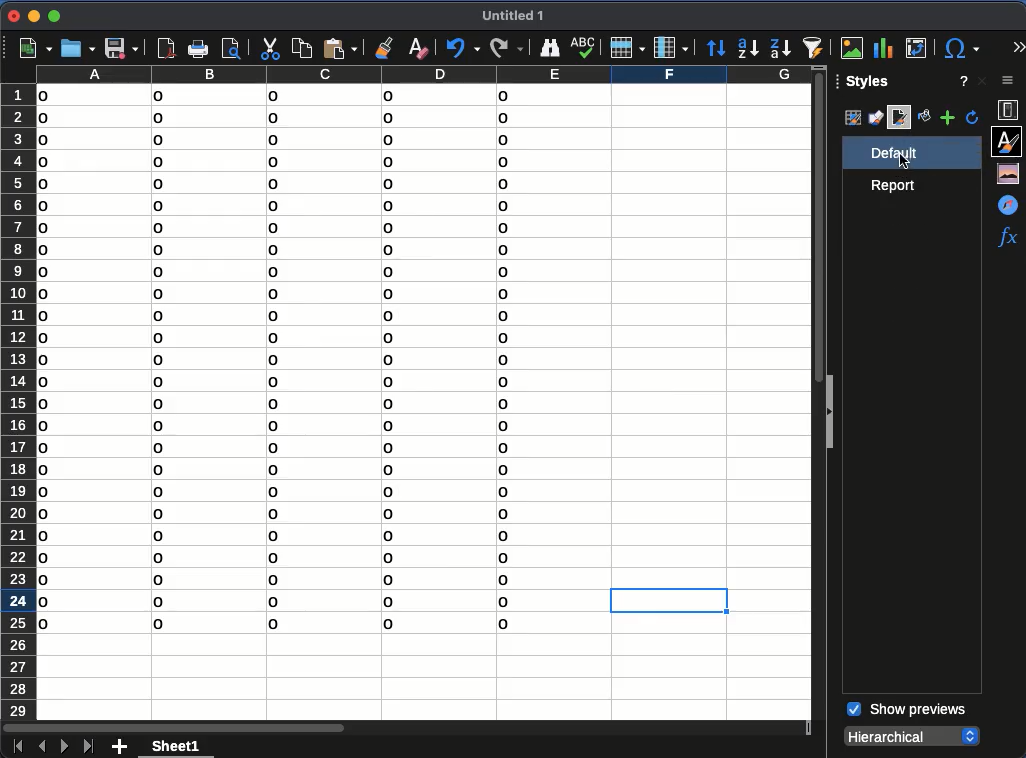 The width and height of the screenshot is (1026, 758). What do you see at coordinates (973, 118) in the screenshot?
I see `refresh` at bounding box center [973, 118].